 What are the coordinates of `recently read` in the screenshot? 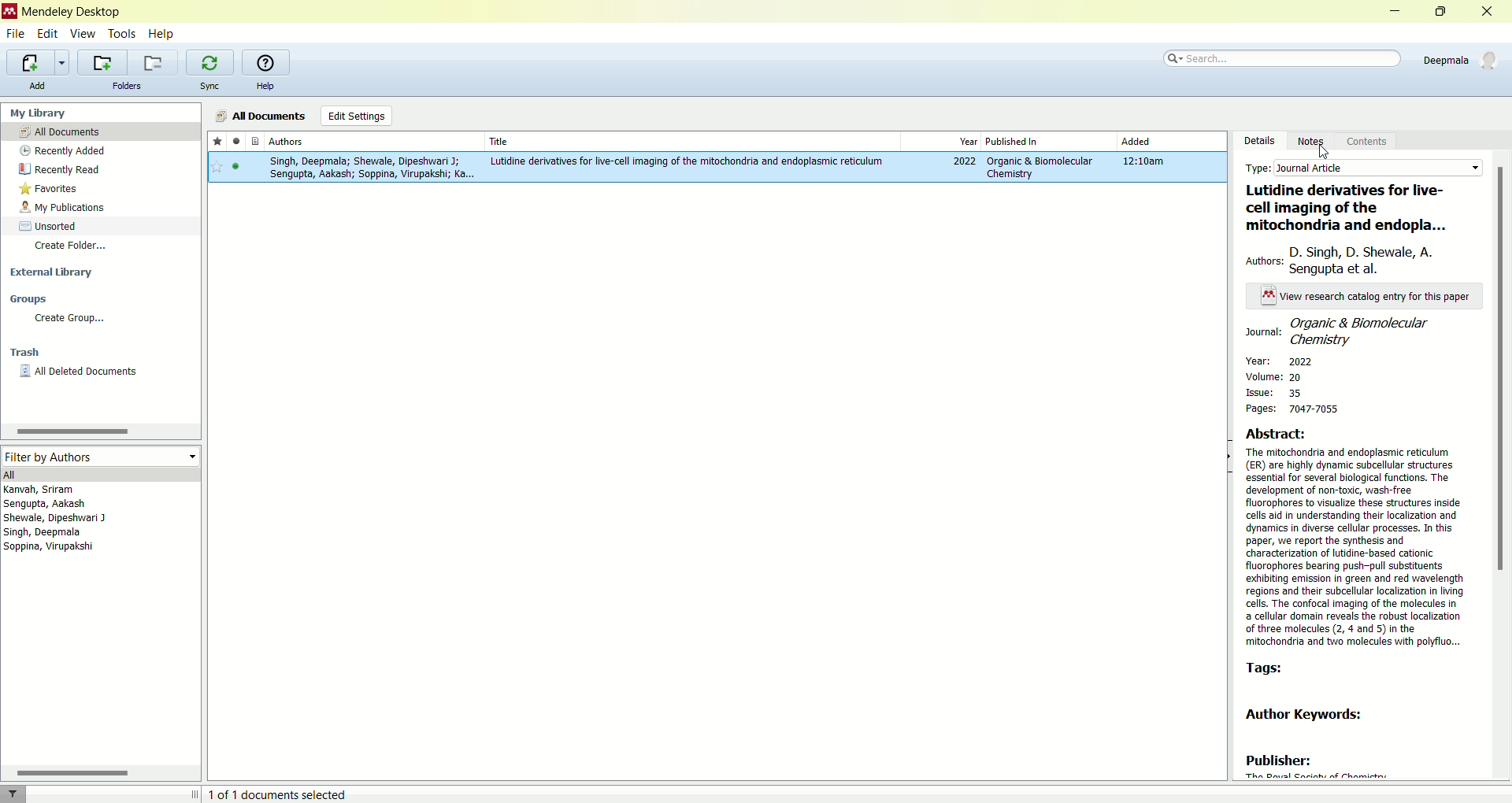 It's located at (98, 168).